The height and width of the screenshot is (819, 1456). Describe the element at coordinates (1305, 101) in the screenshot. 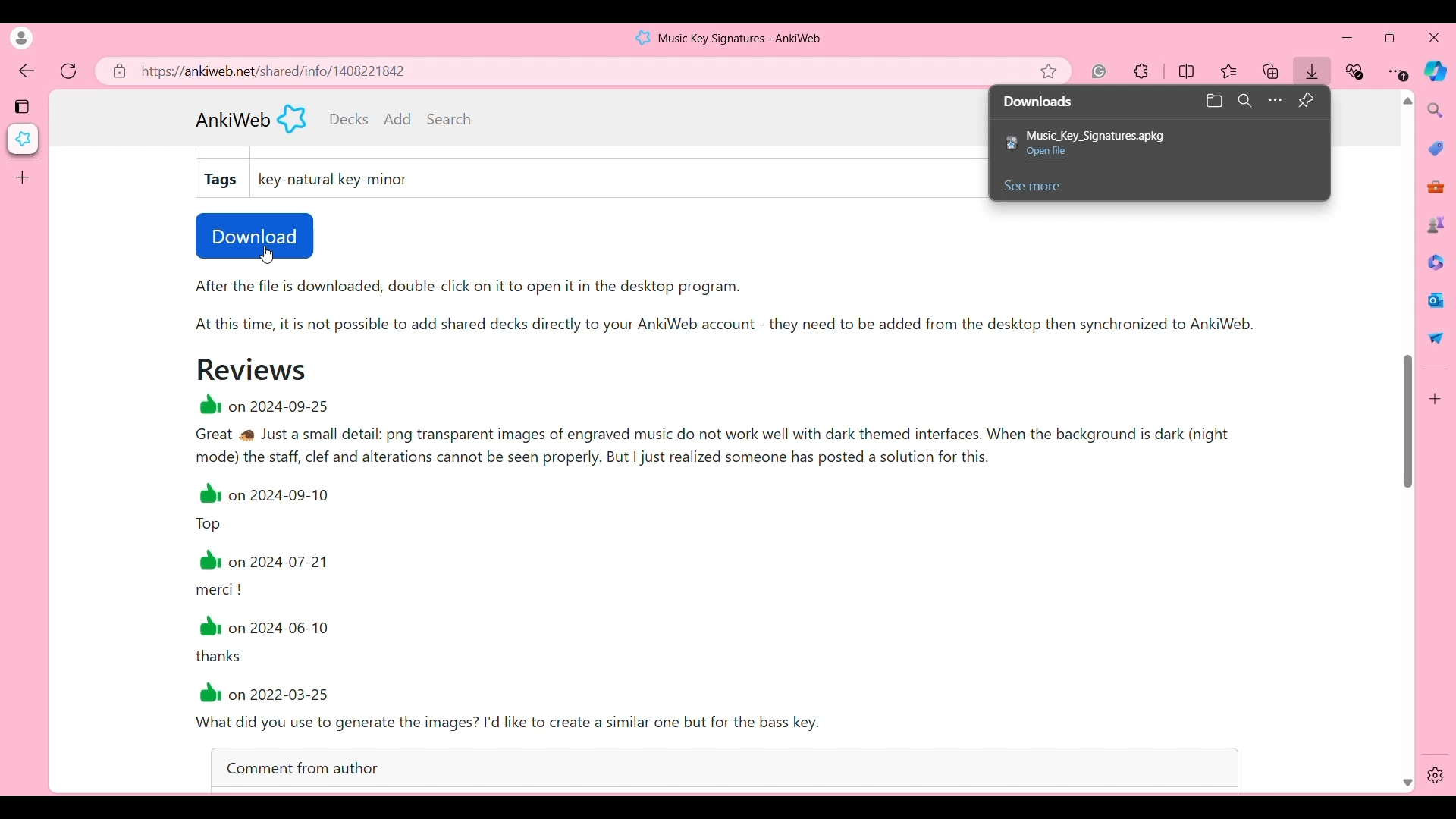

I see `Pin downloads` at that location.